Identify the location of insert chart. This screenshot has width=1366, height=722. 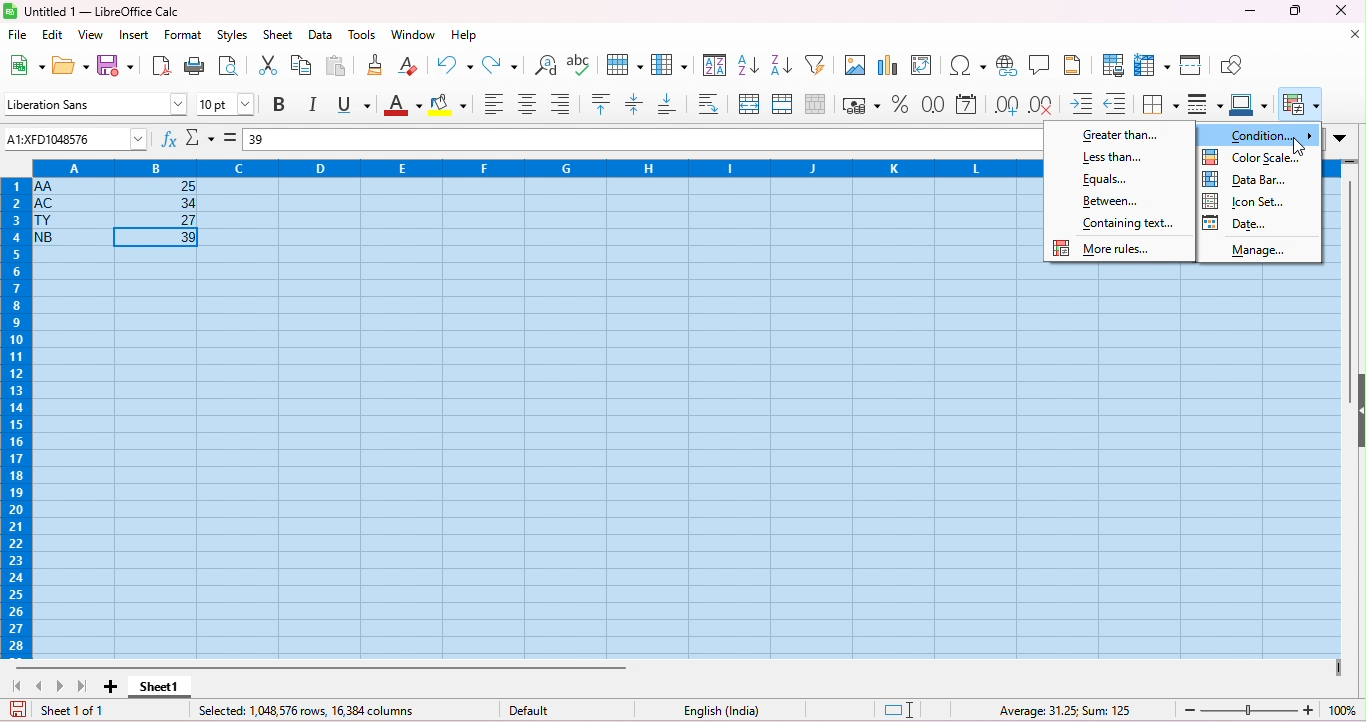
(890, 64).